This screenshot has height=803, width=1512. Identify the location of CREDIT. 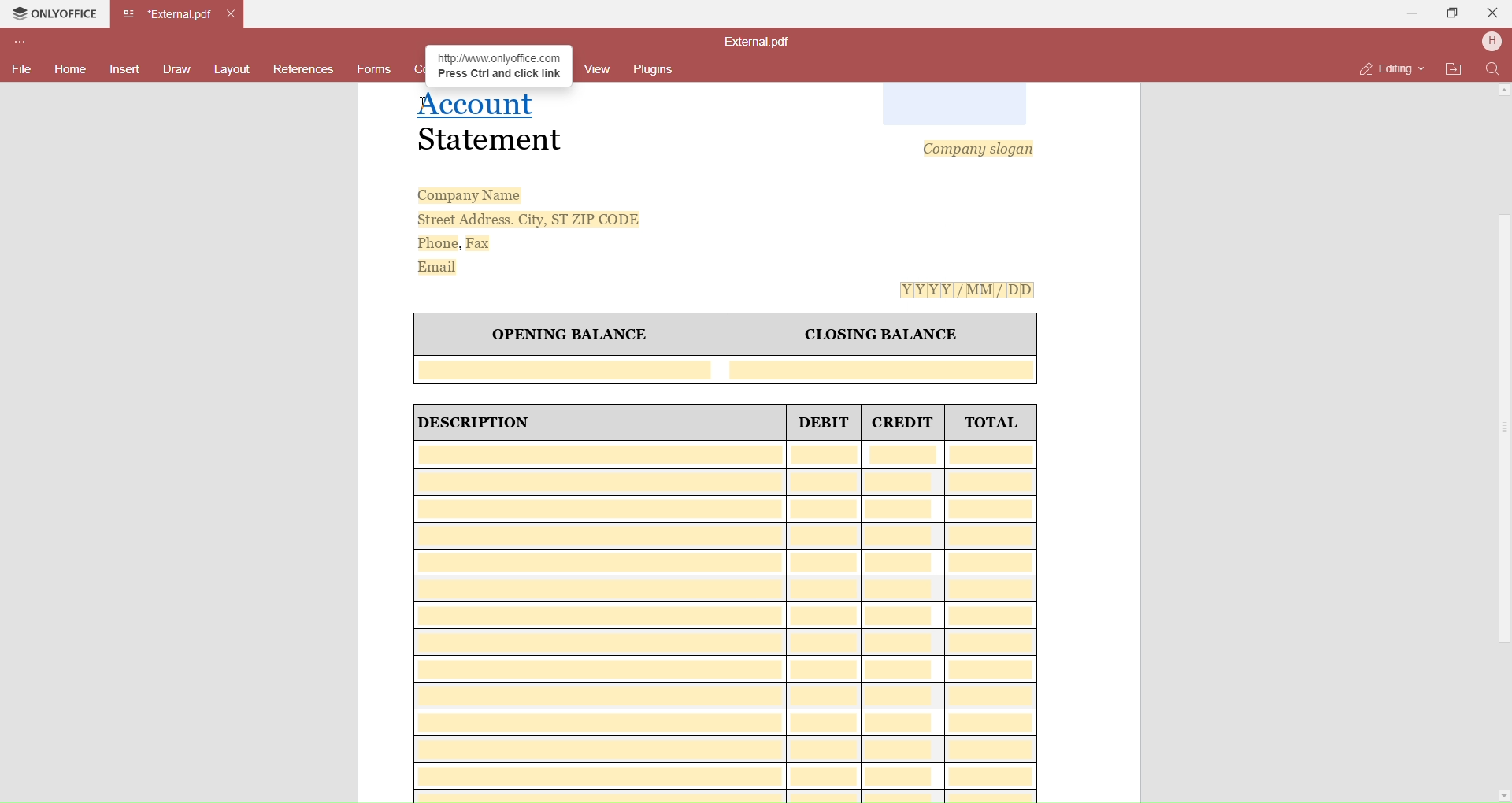
(902, 422).